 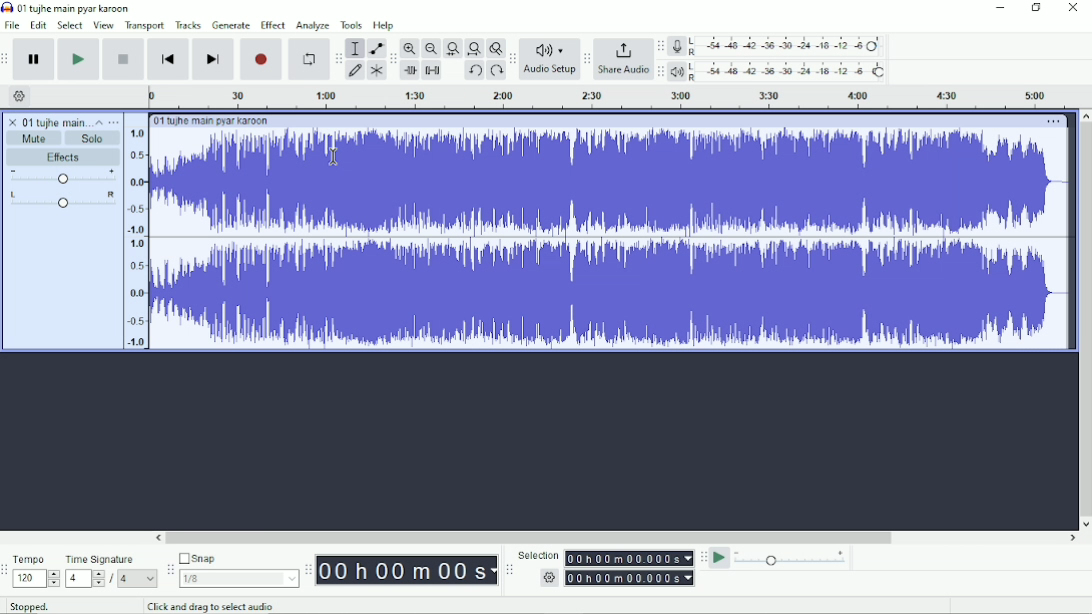 What do you see at coordinates (434, 71) in the screenshot?
I see `Silence audio selection` at bounding box center [434, 71].